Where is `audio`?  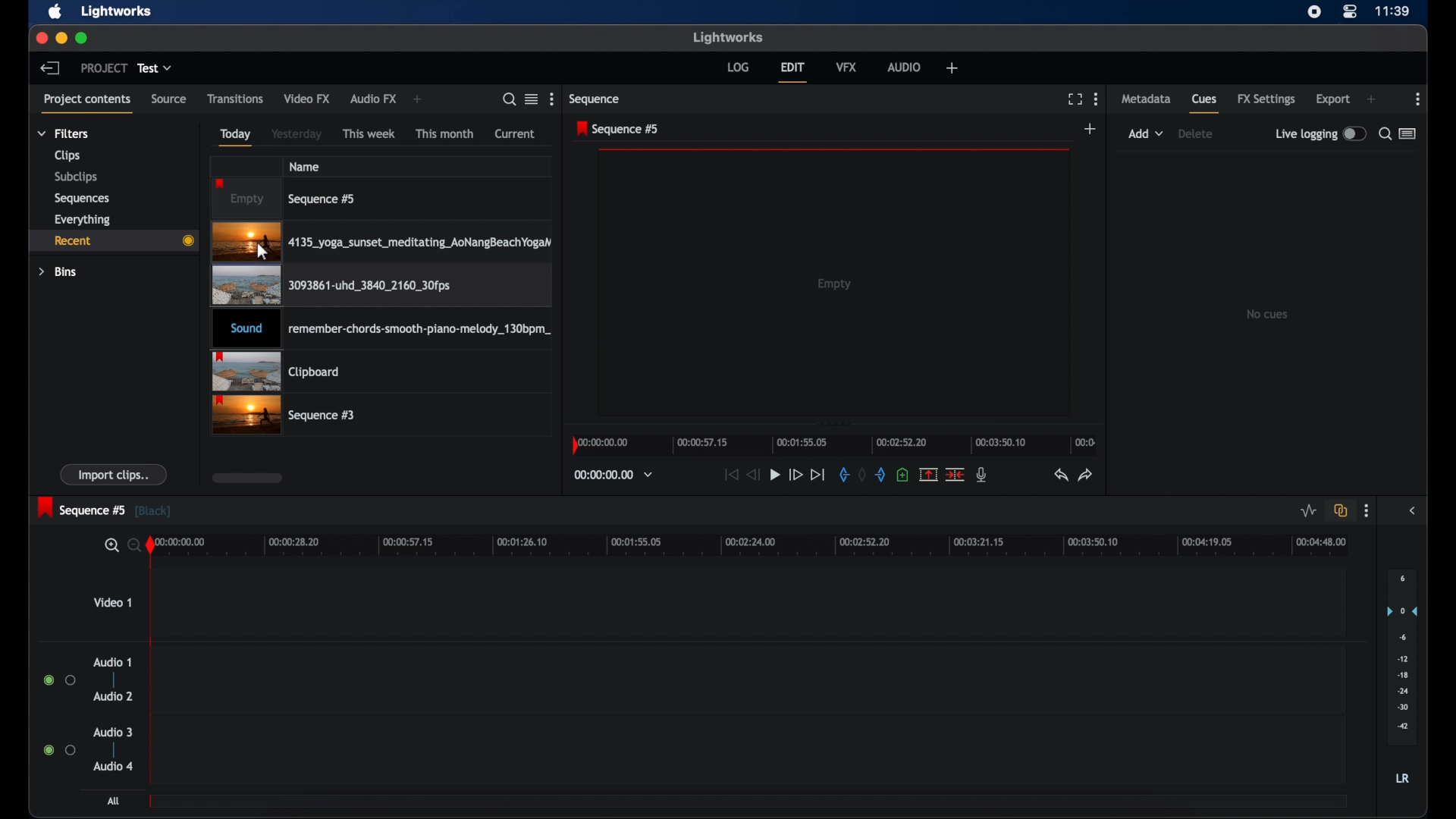 audio is located at coordinates (904, 67).